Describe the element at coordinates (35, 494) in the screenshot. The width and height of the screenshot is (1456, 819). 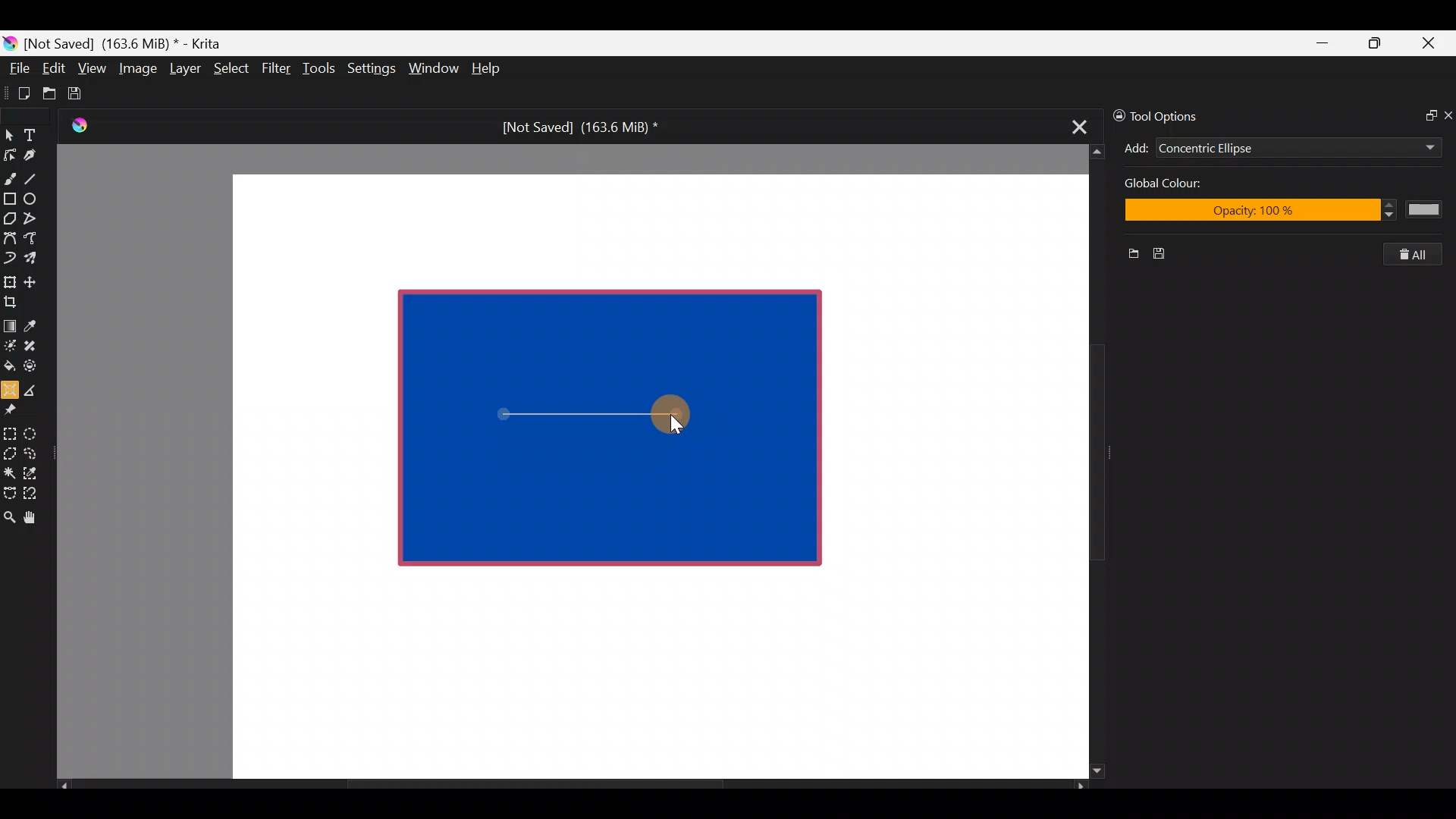
I see `Magnetic curve selection tool` at that location.